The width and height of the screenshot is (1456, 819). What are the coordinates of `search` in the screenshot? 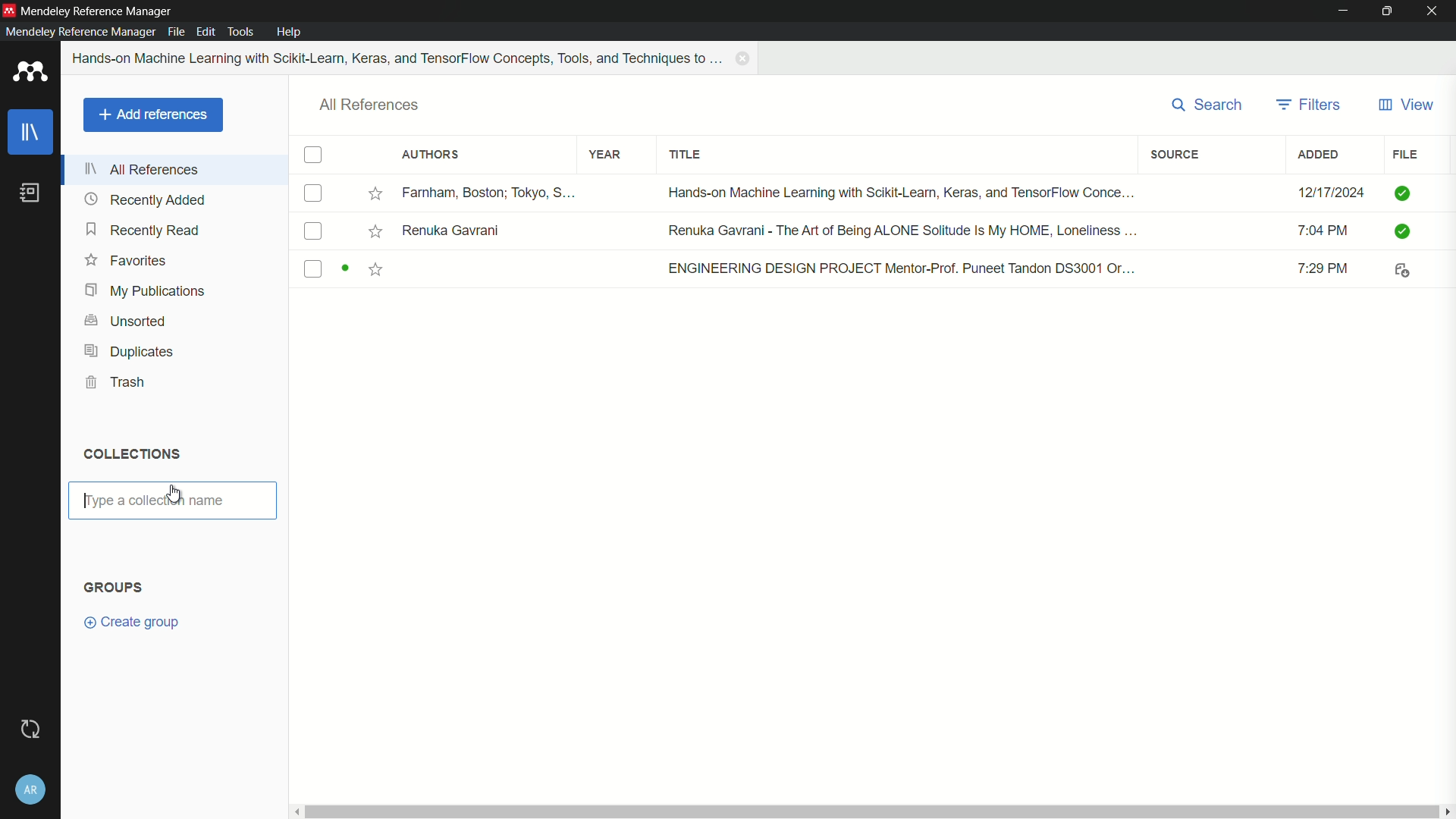 It's located at (1209, 105).